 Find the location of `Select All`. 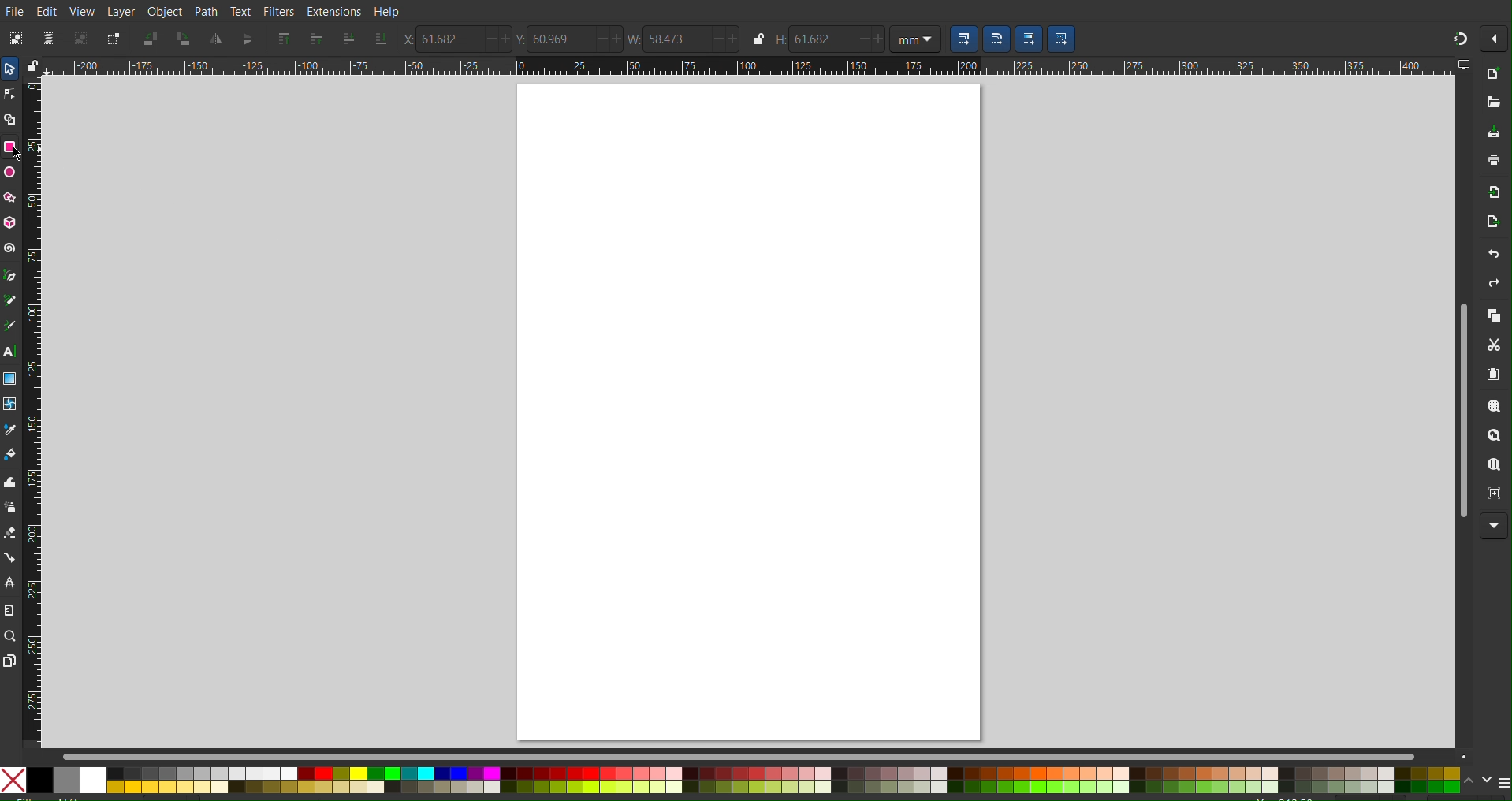

Select All is located at coordinates (50, 39).